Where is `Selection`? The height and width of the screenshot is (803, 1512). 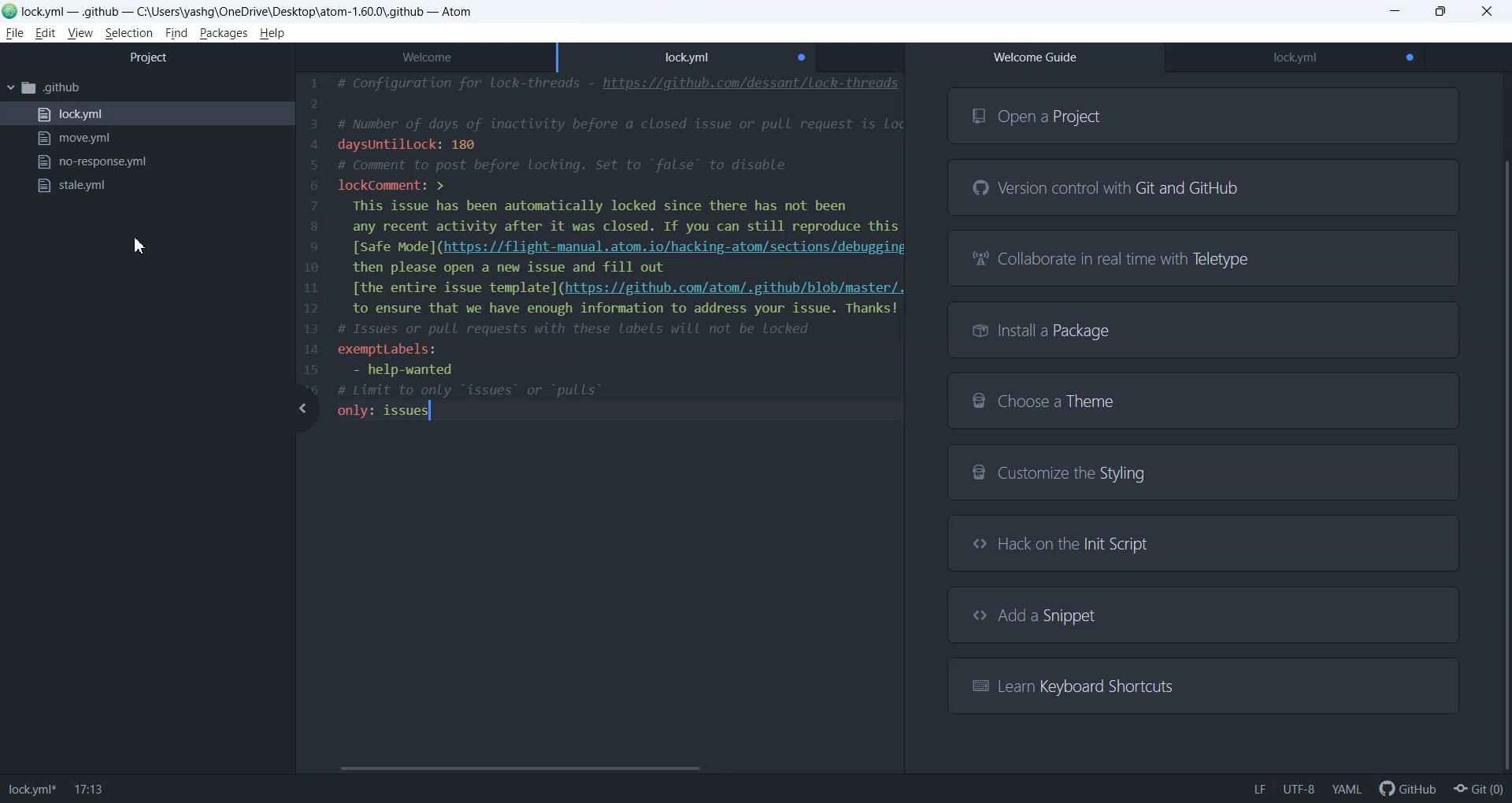
Selection is located at coordinates (128, 34).